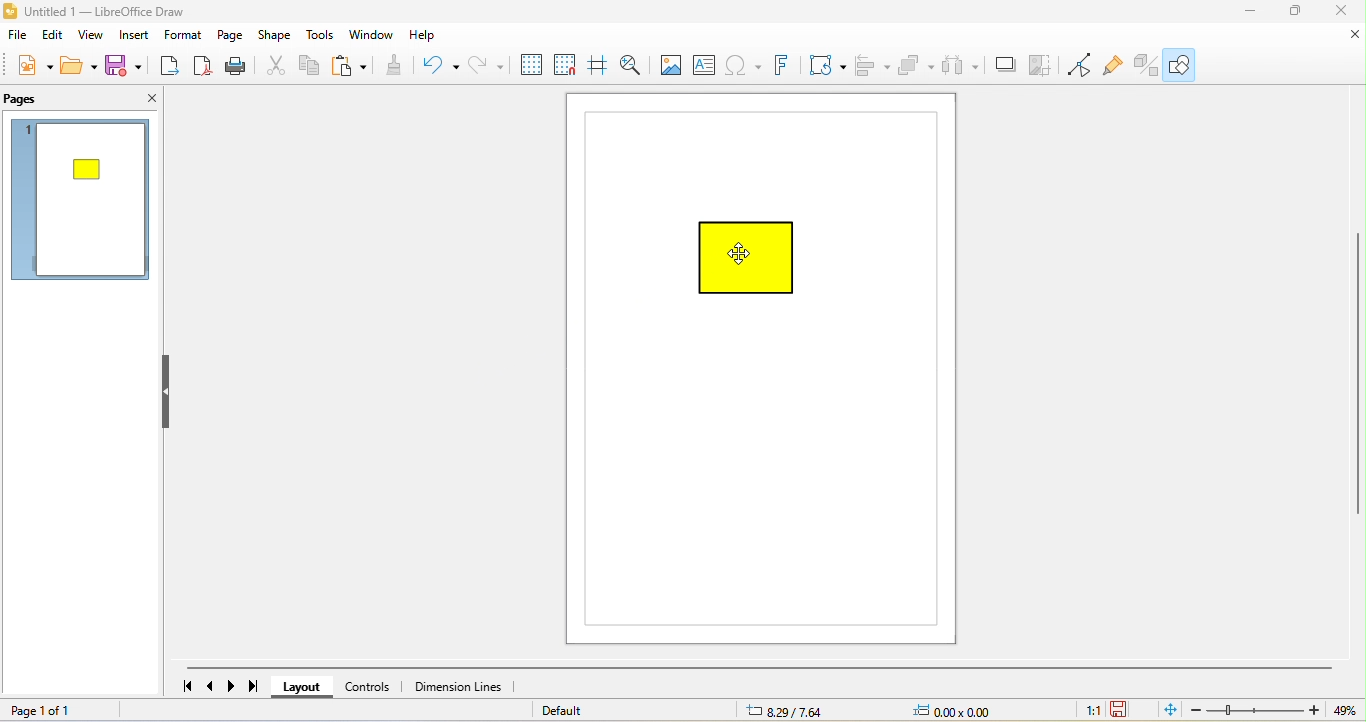  I want to click on shape, so click(273, 37).